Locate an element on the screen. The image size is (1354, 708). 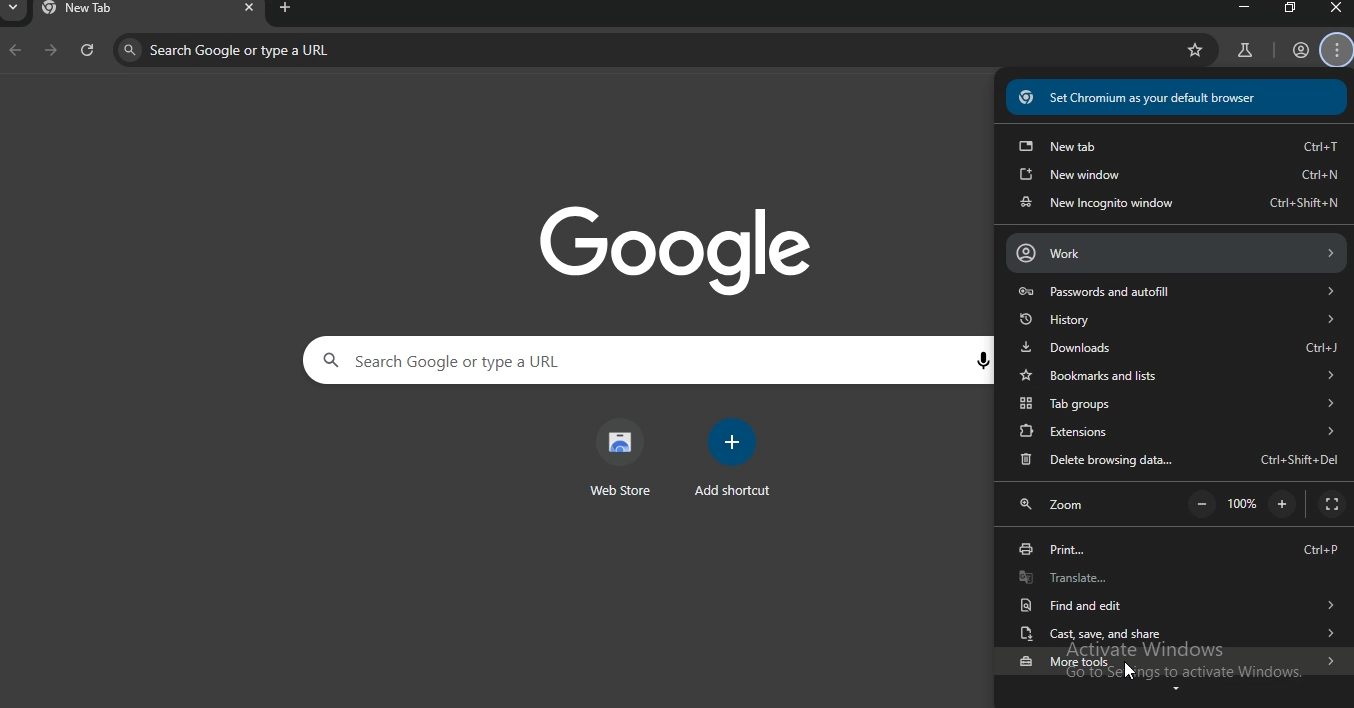
search tab is located at coordinates (15, 9).